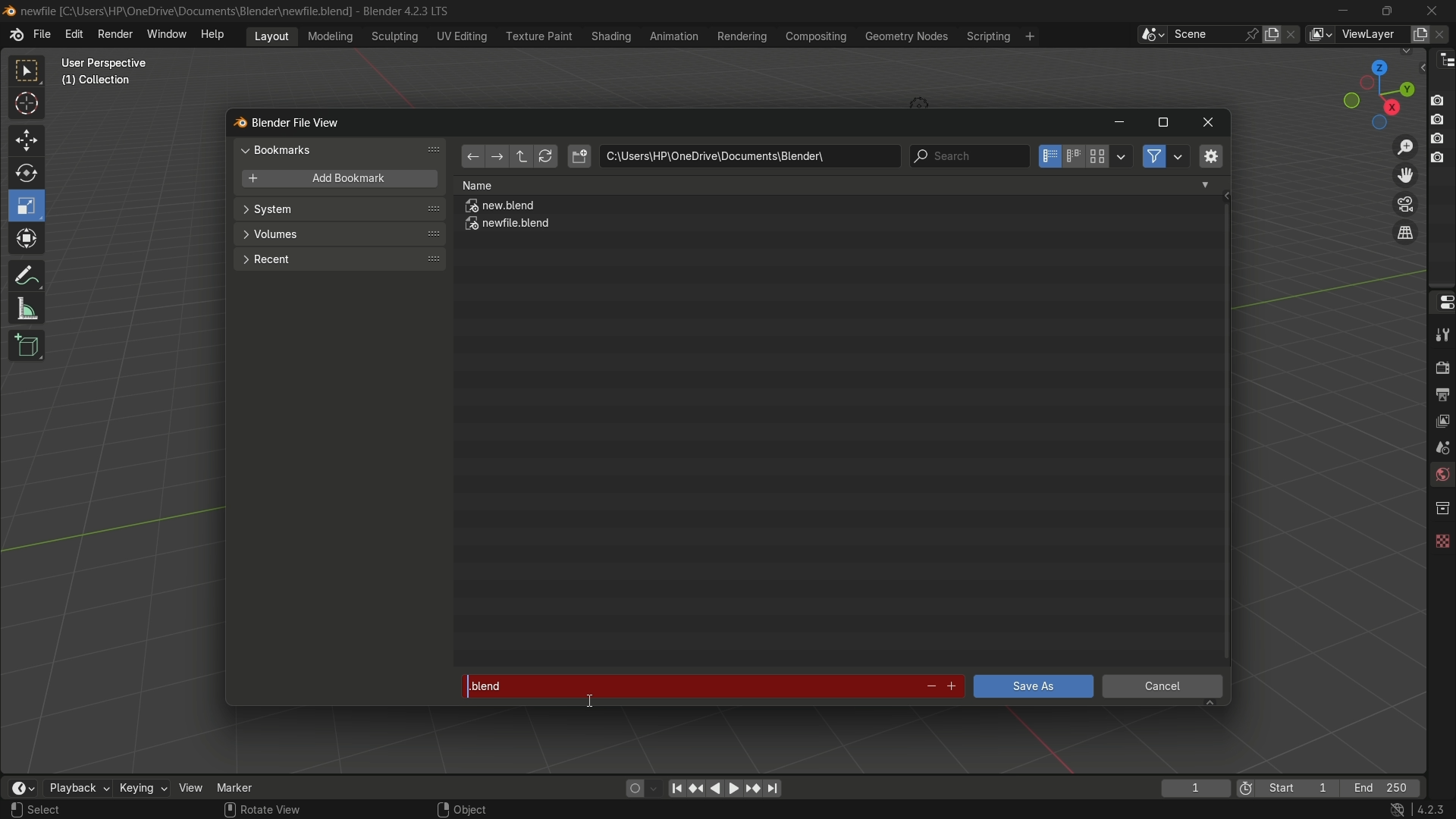 The image size is (1456, 819). What do you see at coordinates (725, 788) in the screenshot?
I see `play animation` at bounding box center [725, 788].